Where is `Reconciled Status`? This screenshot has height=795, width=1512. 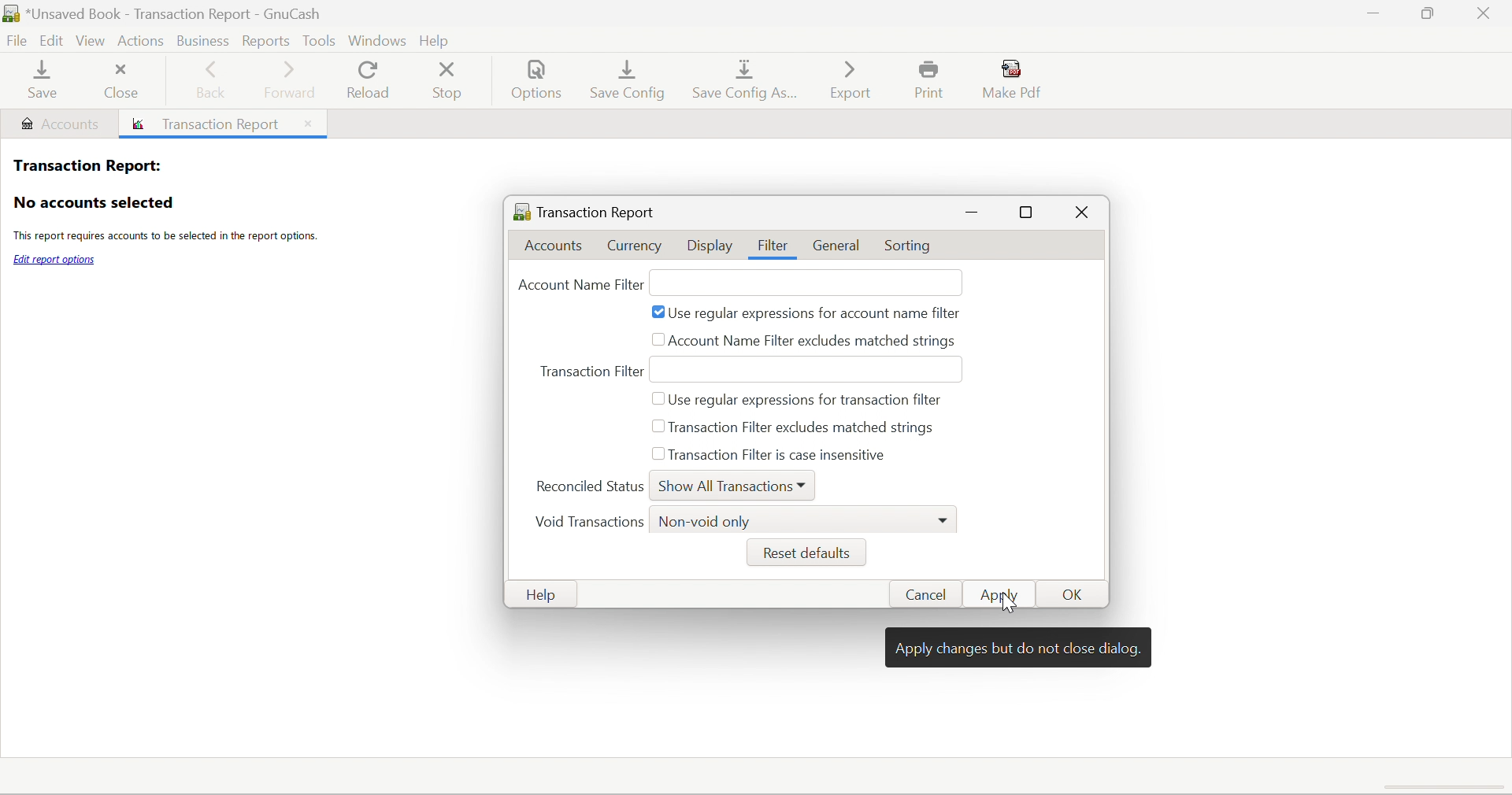 Reconciled Status is located at coordinates (590, 486).